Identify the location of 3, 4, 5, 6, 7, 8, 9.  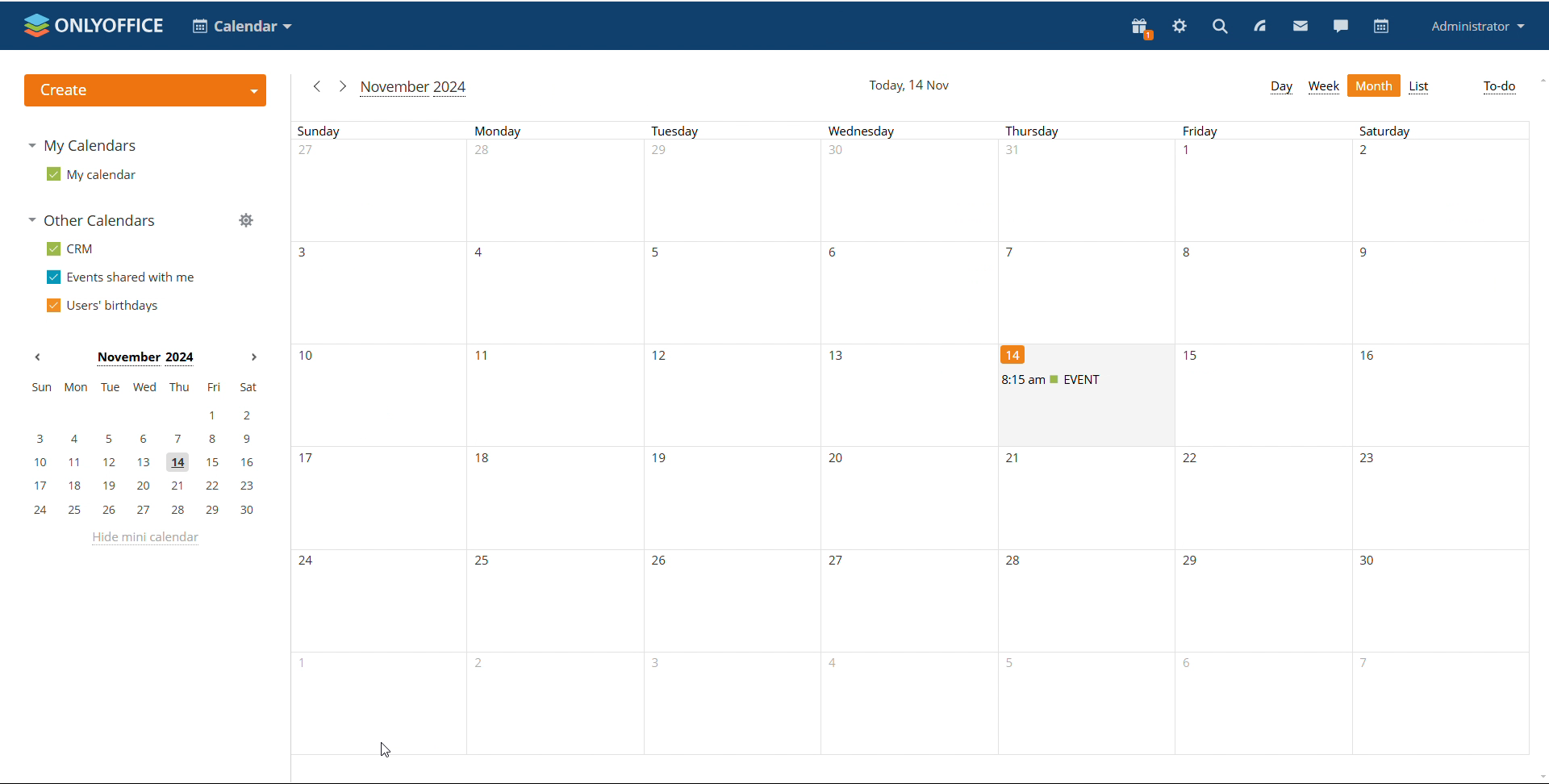
(142, 440).